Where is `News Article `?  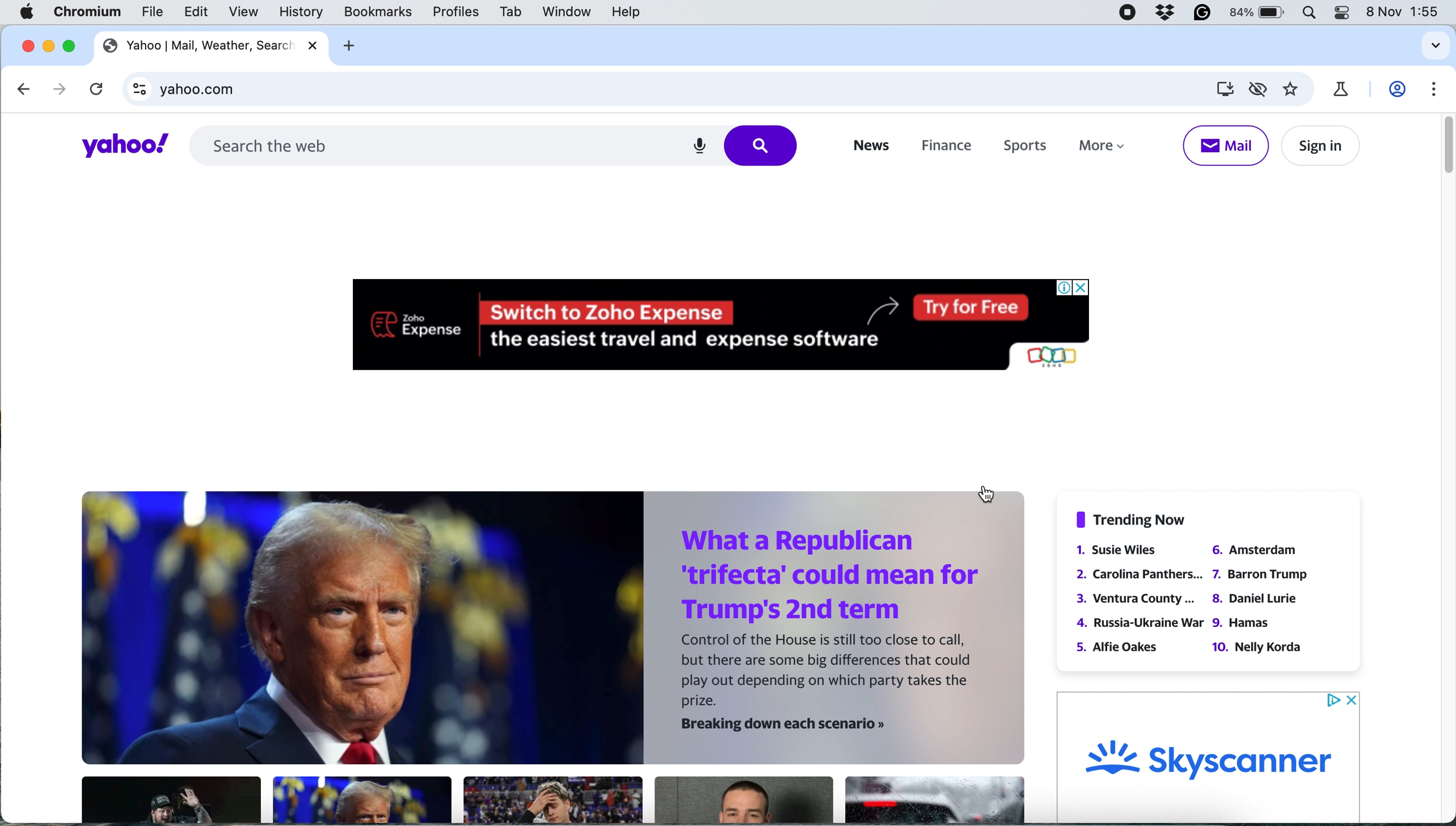
News Article  is located at coordinates (170, 800).